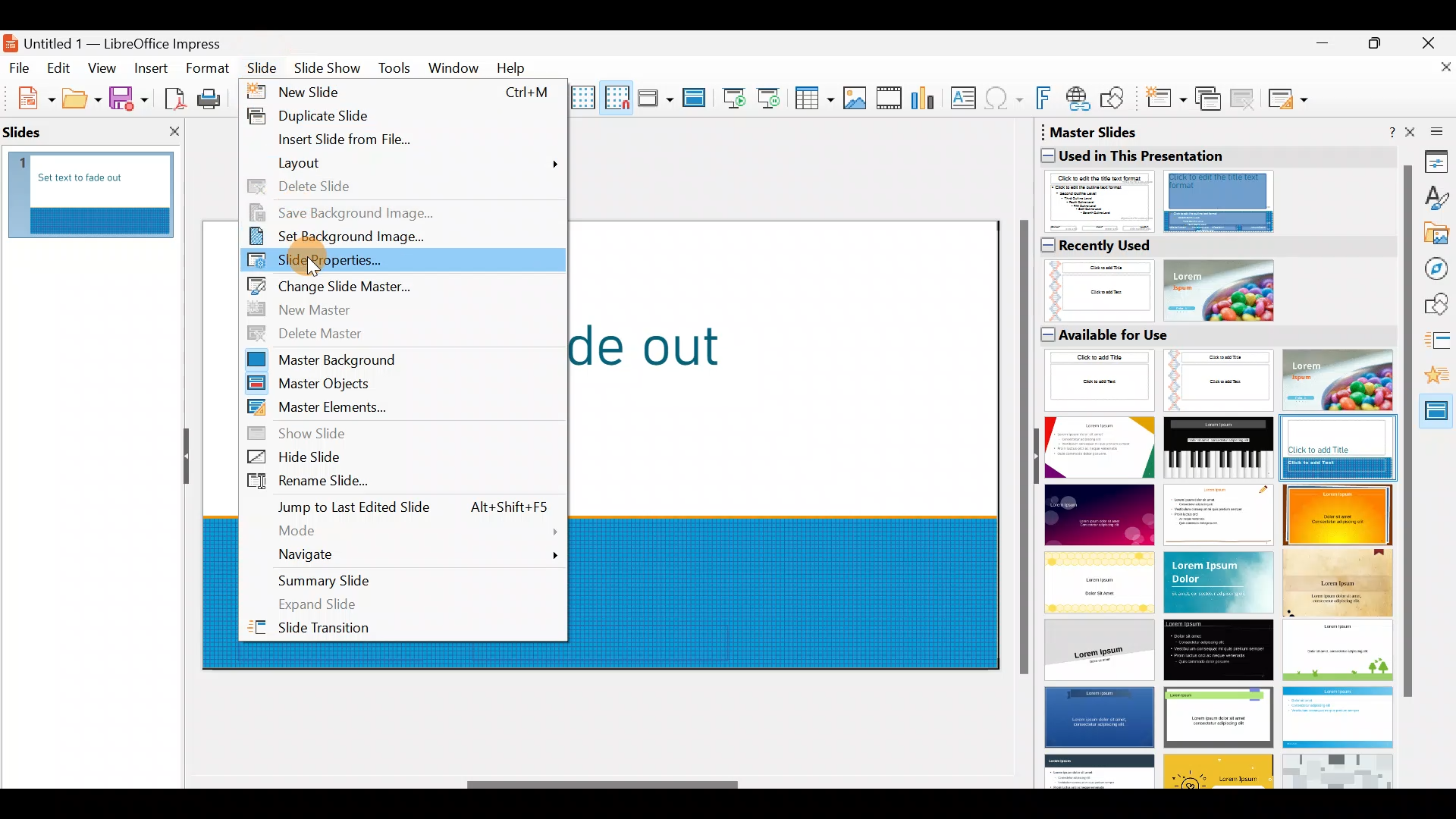 The image size is (1456, 819). What do you see at coordinates (927, 99) in the screenshot?
I see `Insert chart` at bounding box center [927, 99].